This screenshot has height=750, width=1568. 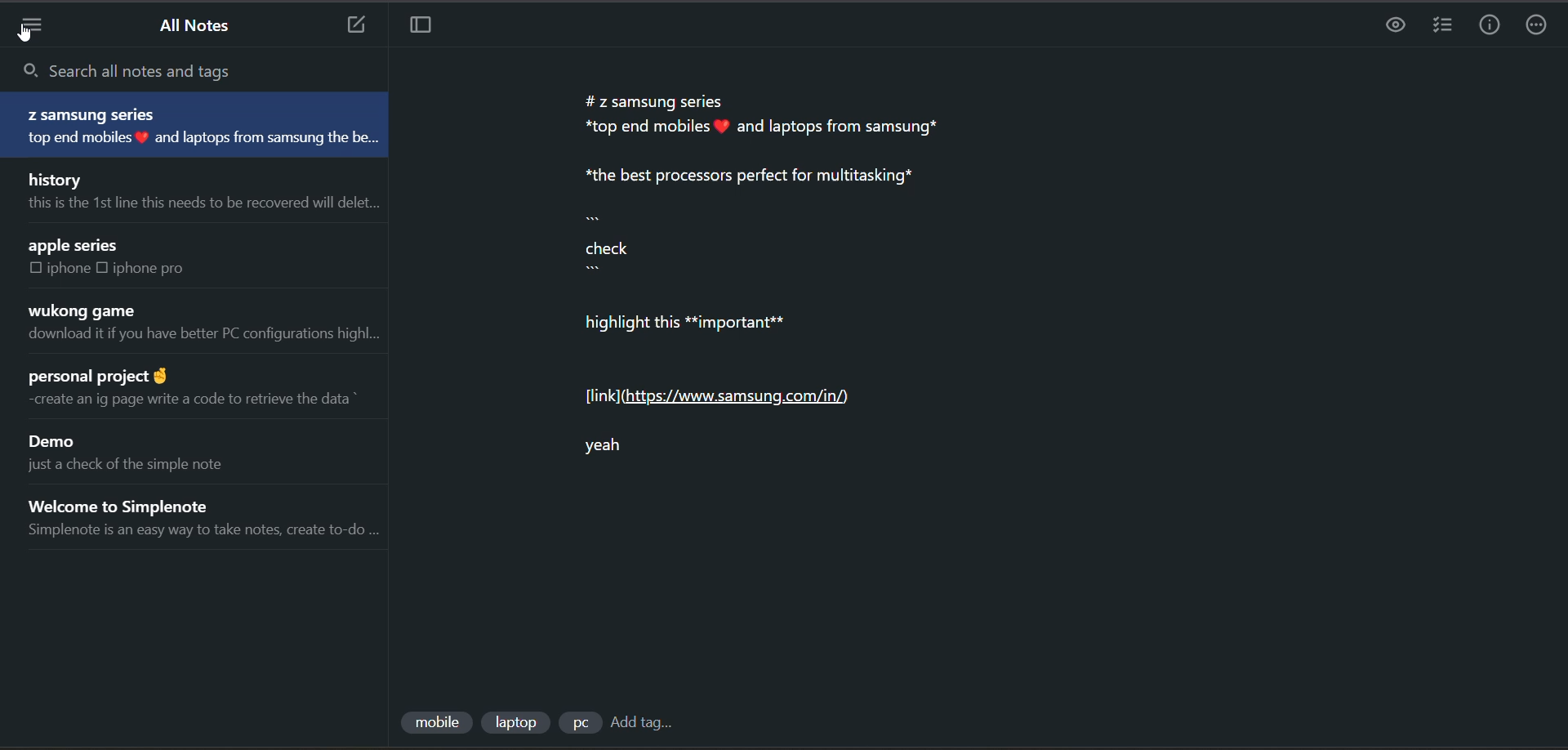 I want to click on all notes, so click(x=199, y=26).